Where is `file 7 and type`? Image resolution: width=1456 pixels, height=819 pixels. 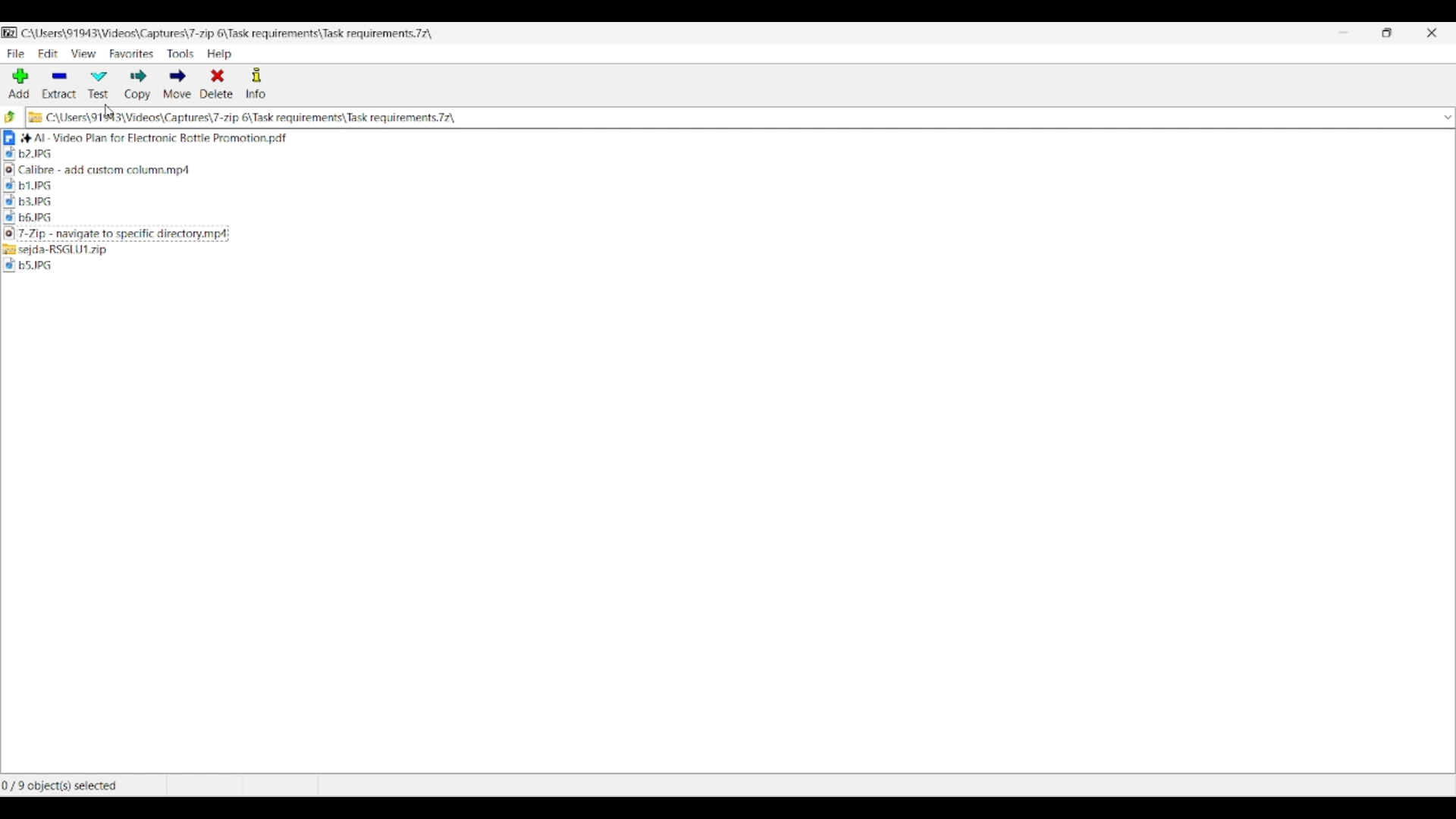 file 7 and type is located at coordinates (417, 234).